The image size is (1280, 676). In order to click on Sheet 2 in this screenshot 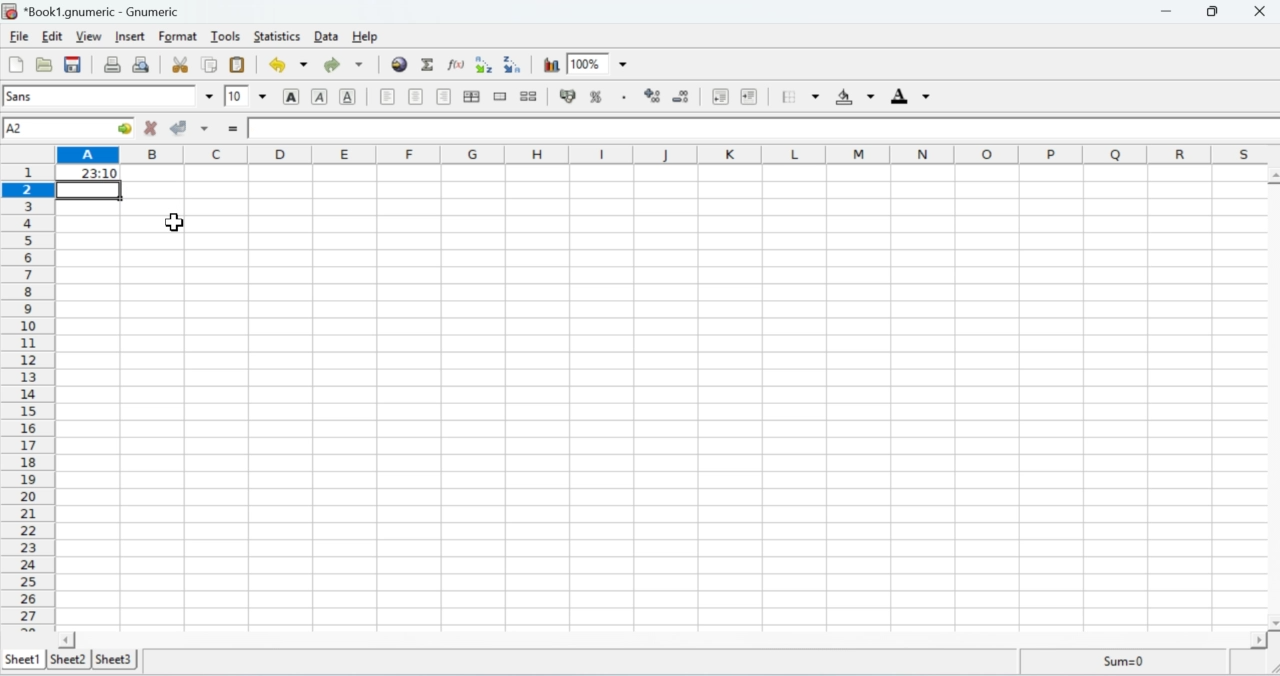, I will do `click(66, 659)`.